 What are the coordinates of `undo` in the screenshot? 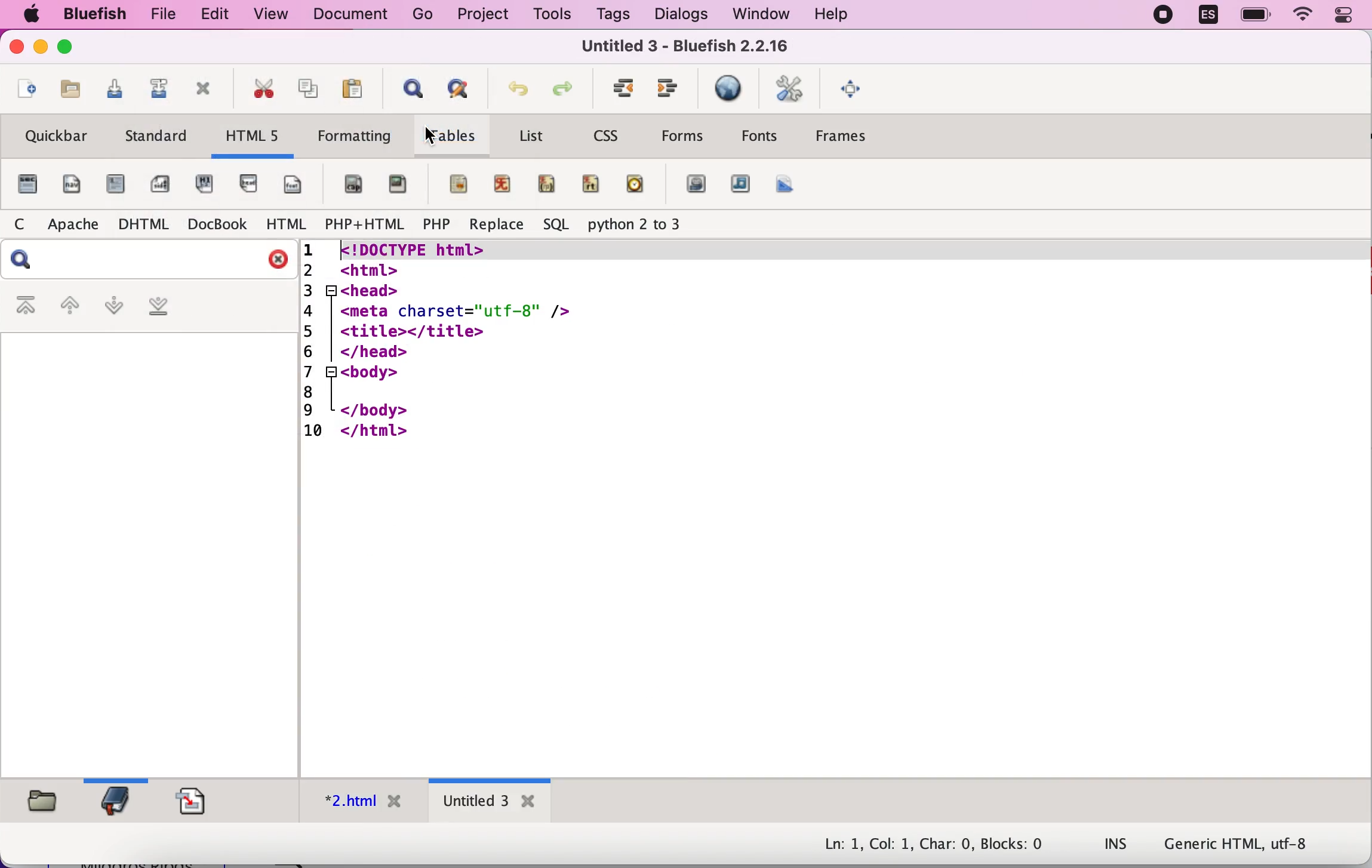 It's located at (516, 88).